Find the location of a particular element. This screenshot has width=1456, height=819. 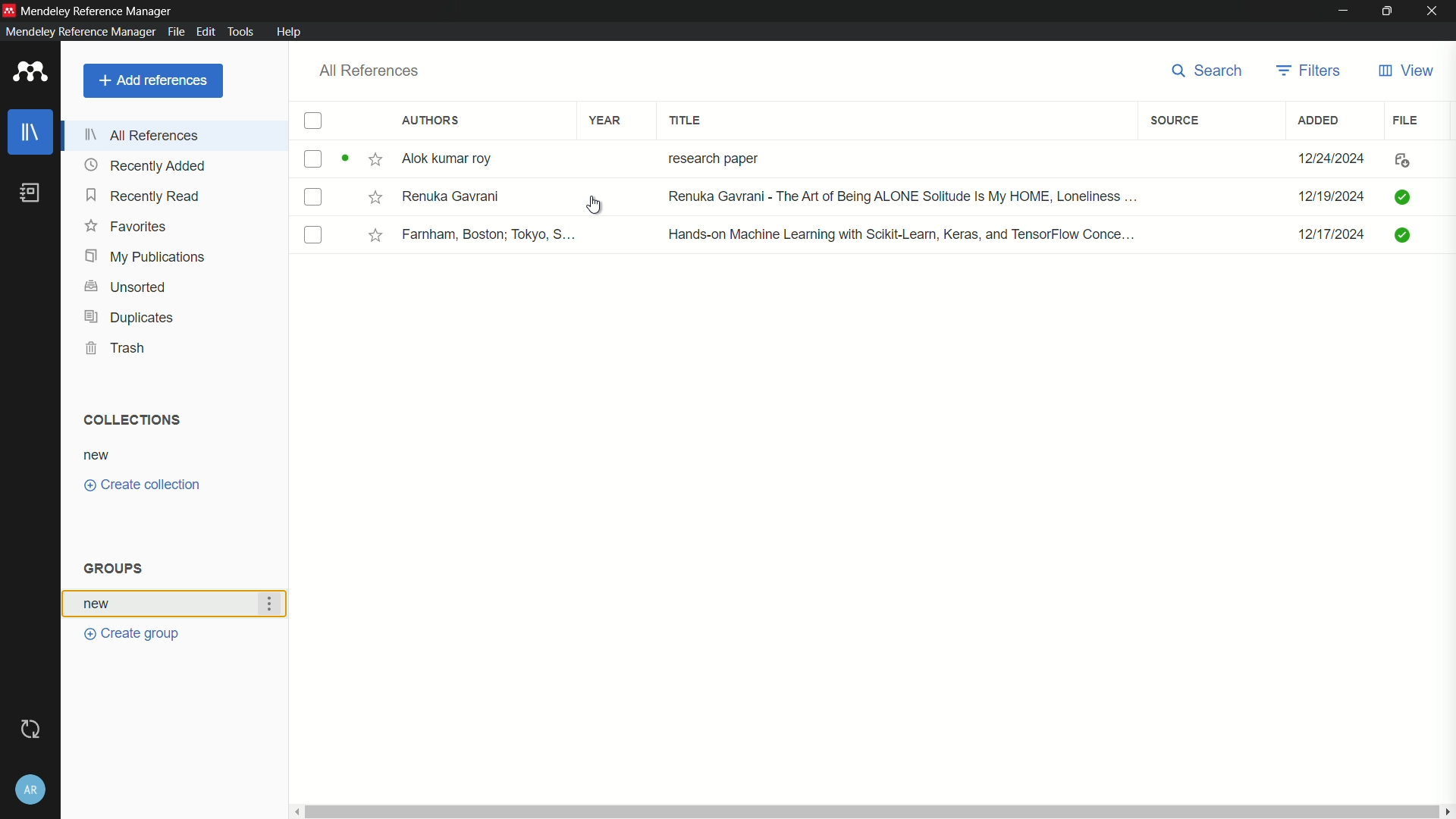

source is located at coordinates (1174, 121).